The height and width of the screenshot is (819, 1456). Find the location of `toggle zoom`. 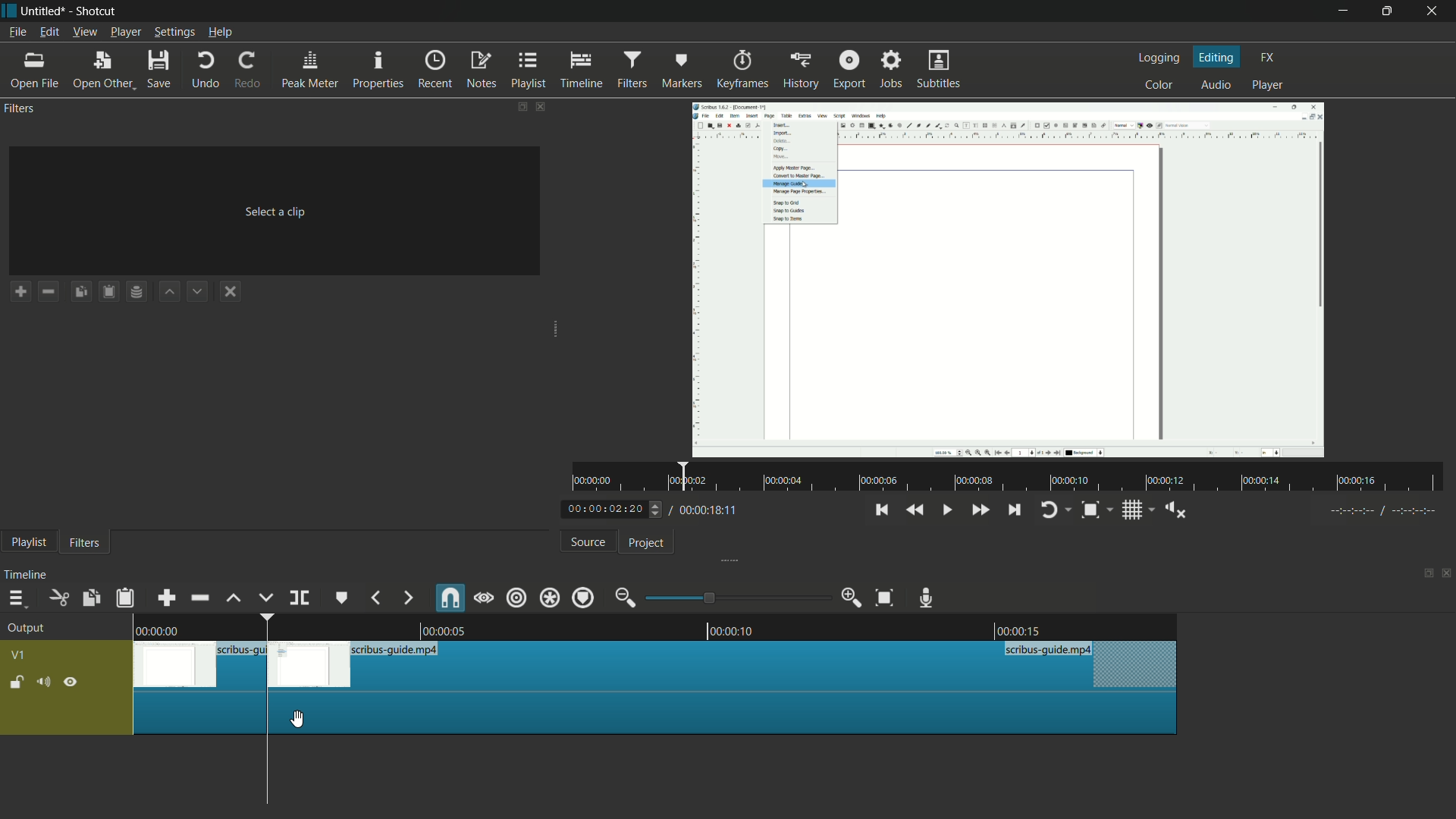

toggle zoom is located at coordinates (1090, 510).